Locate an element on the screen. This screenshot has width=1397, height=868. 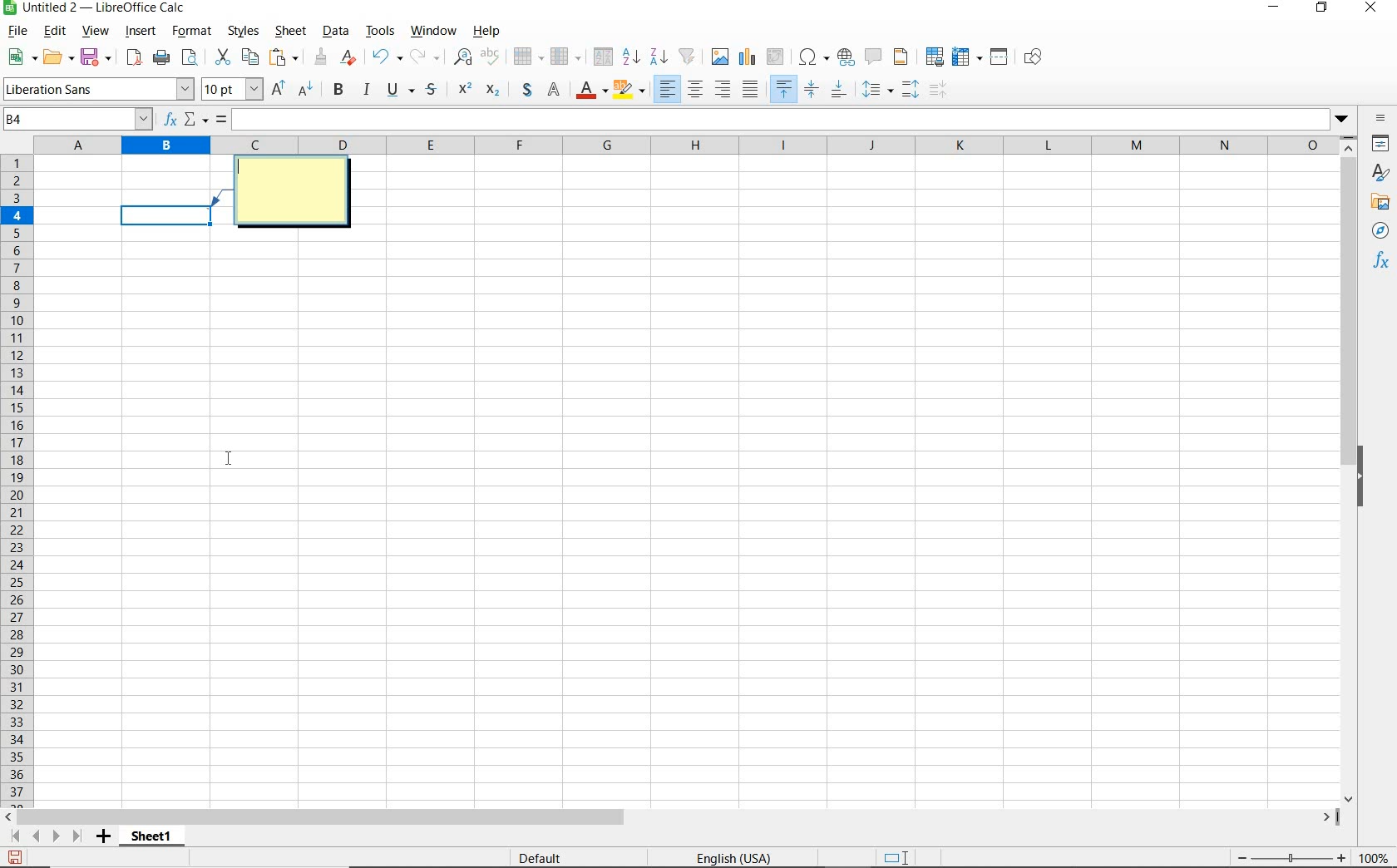
line spacing dropdown menu is located at coordinates (876, 91).